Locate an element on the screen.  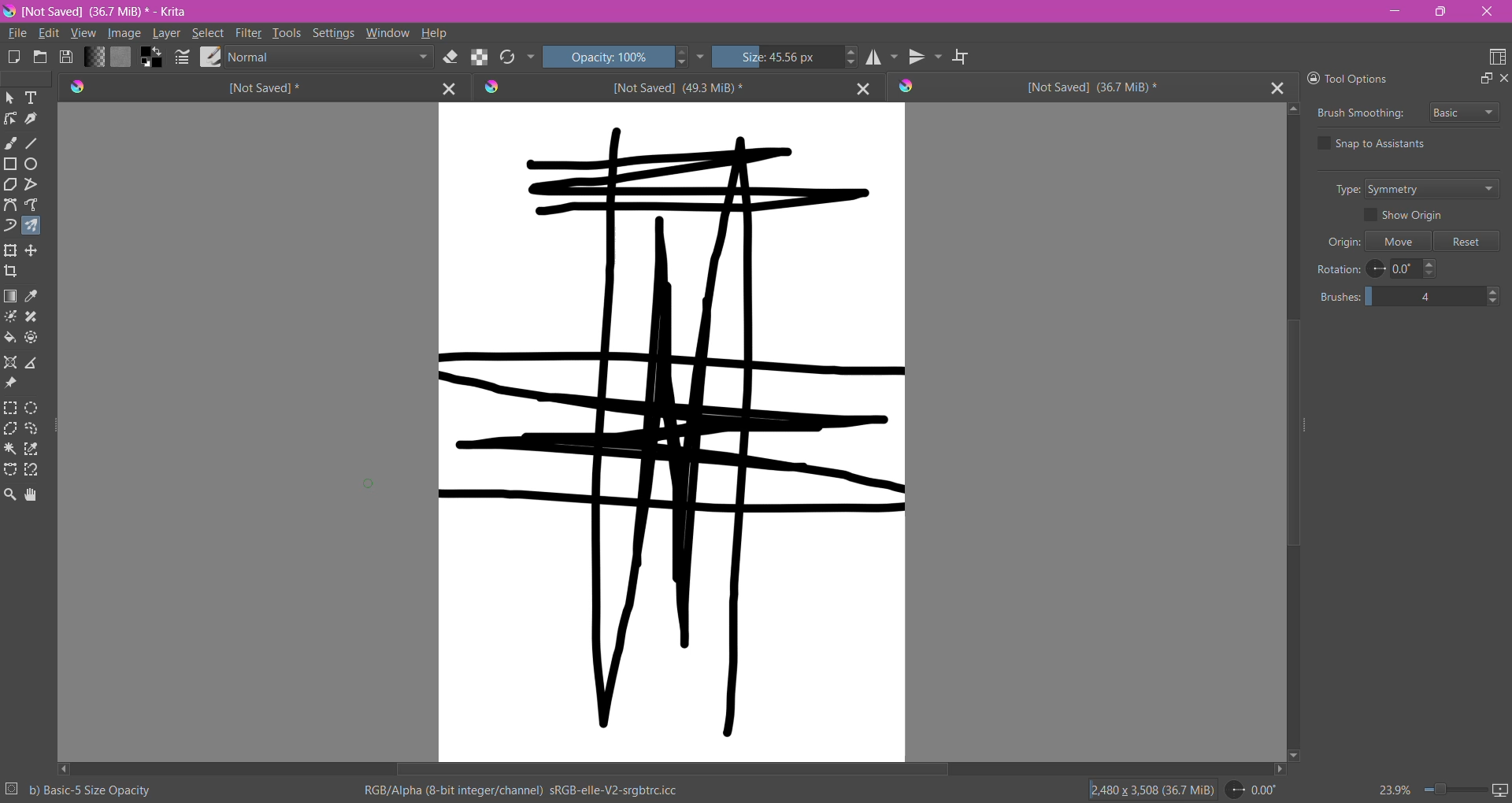
Select Shapes Tool is located at coordinates (10, 98).